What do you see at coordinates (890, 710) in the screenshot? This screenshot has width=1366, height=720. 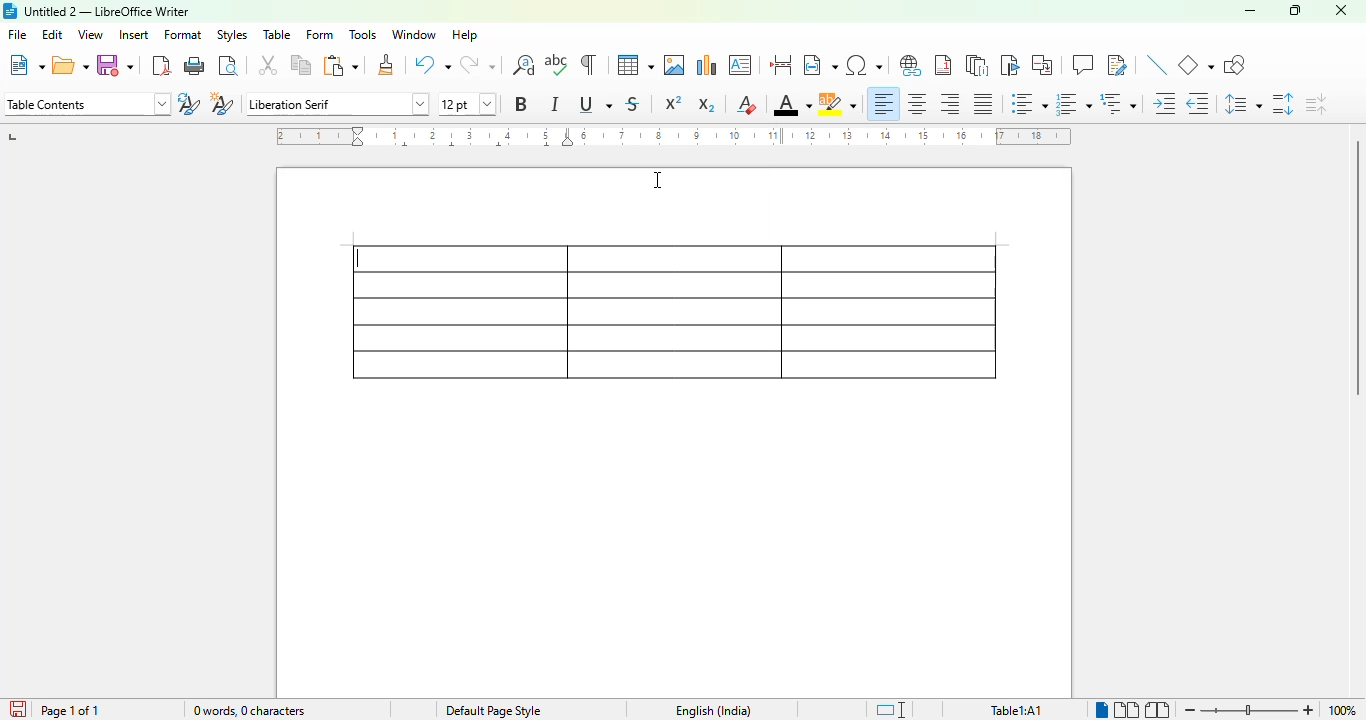 I see `standard selection` at bounding box center [890, 710].